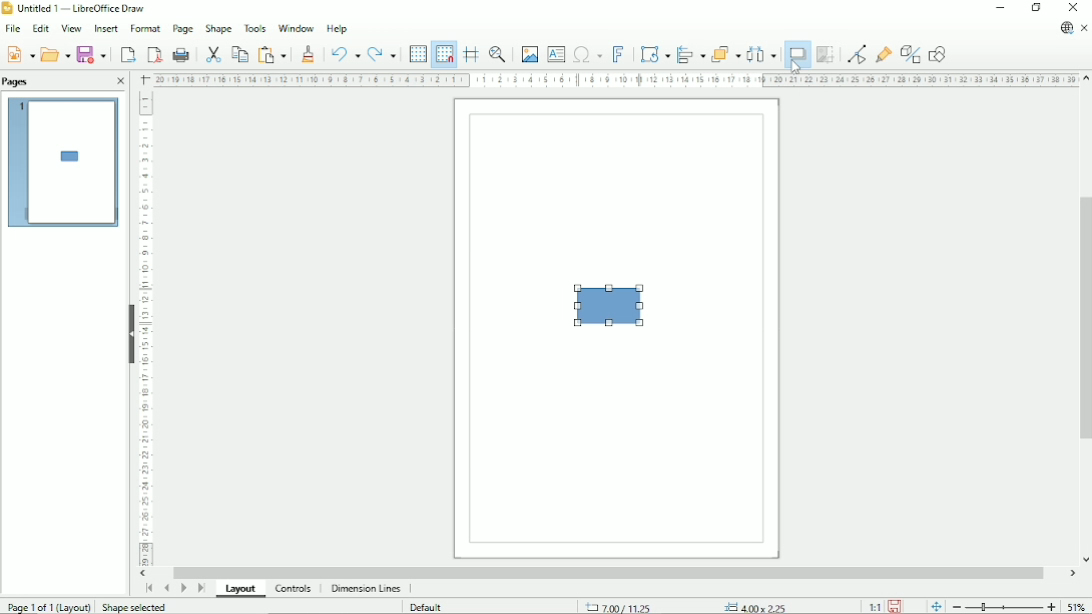 Image resolution: width=1092 pixels, height=614 pixels. What do you see at coordinates (239, 54) in the screenshot?
I see `Copy` at bounding box center [239, 54].